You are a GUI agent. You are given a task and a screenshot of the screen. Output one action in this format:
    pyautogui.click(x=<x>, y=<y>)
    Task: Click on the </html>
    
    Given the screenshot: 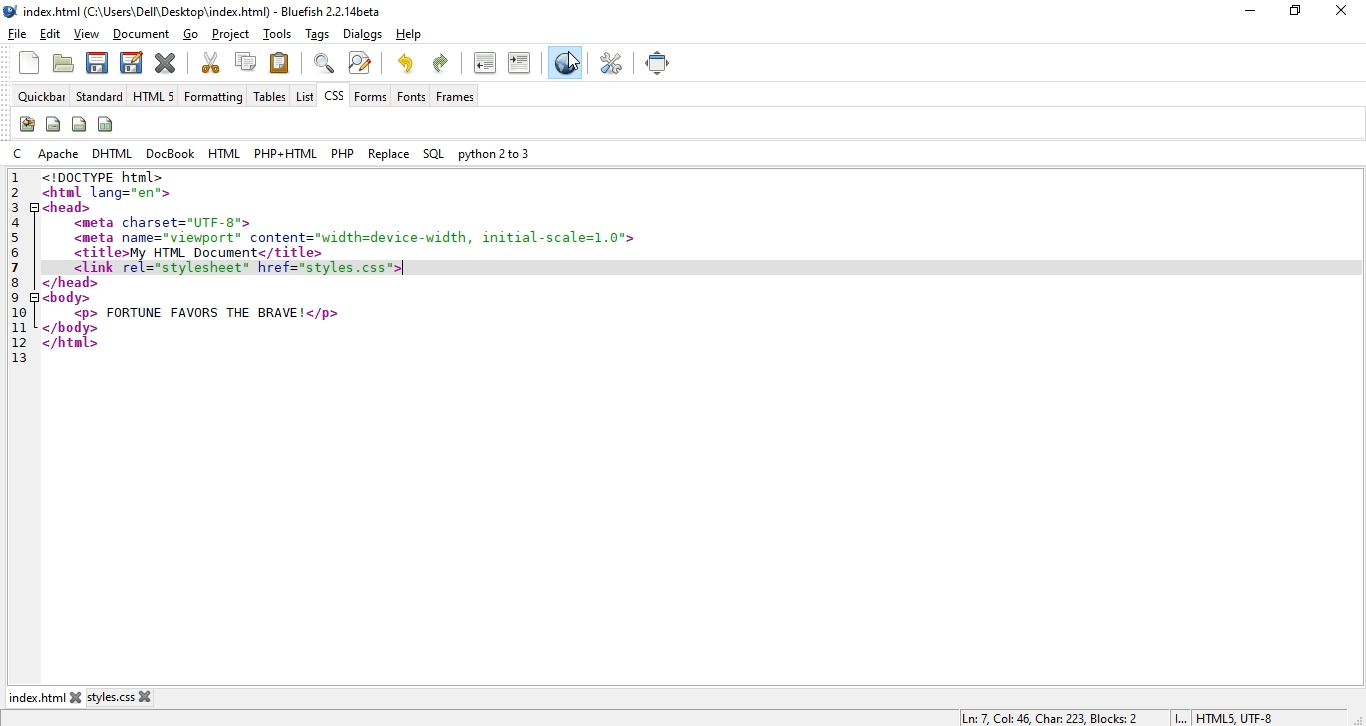 What is the action you would take?
    pyautogui.click(x=72, y=343)
    